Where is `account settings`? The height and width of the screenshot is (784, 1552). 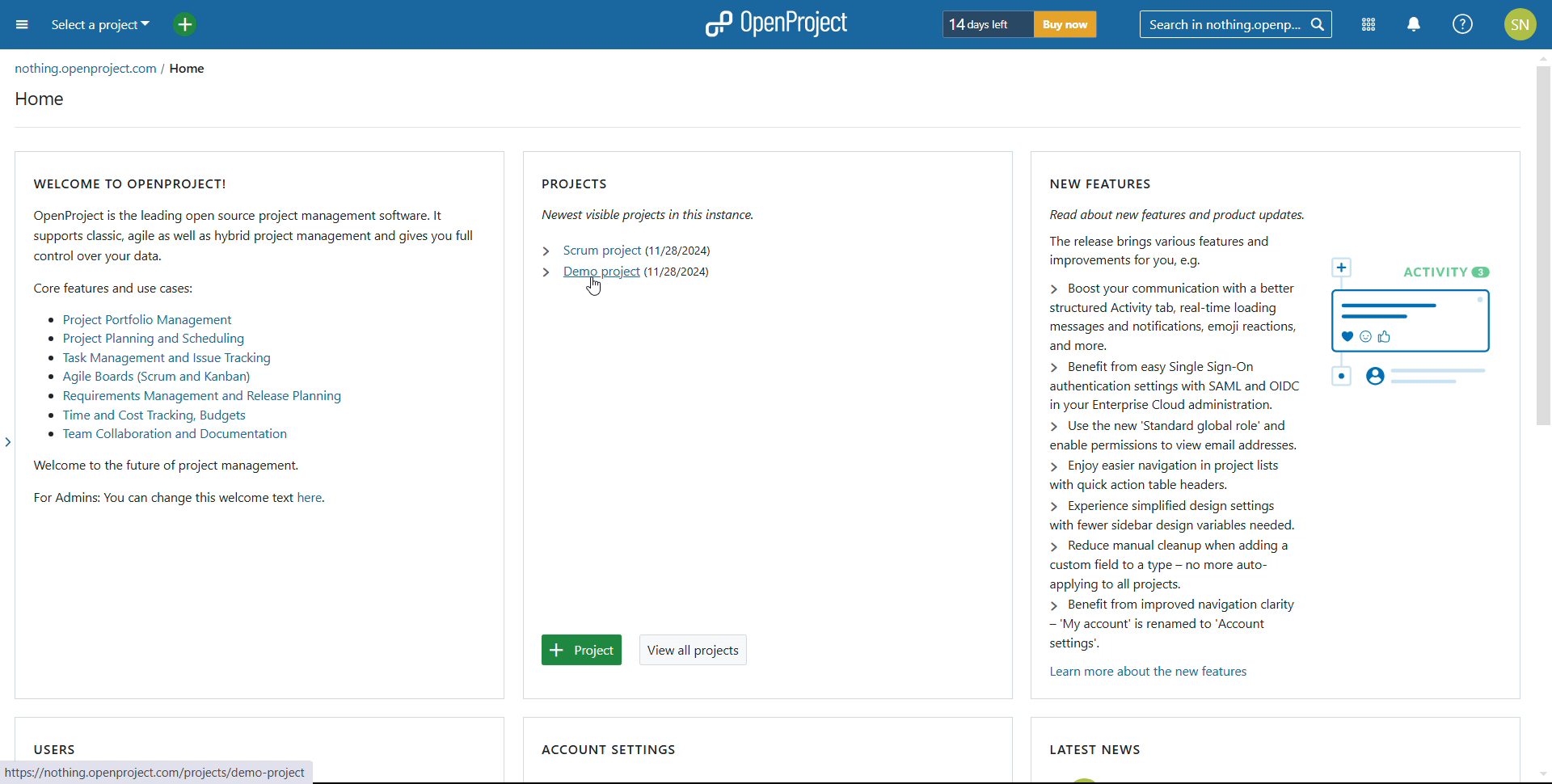 account settings is located at coordinates (610, 750).